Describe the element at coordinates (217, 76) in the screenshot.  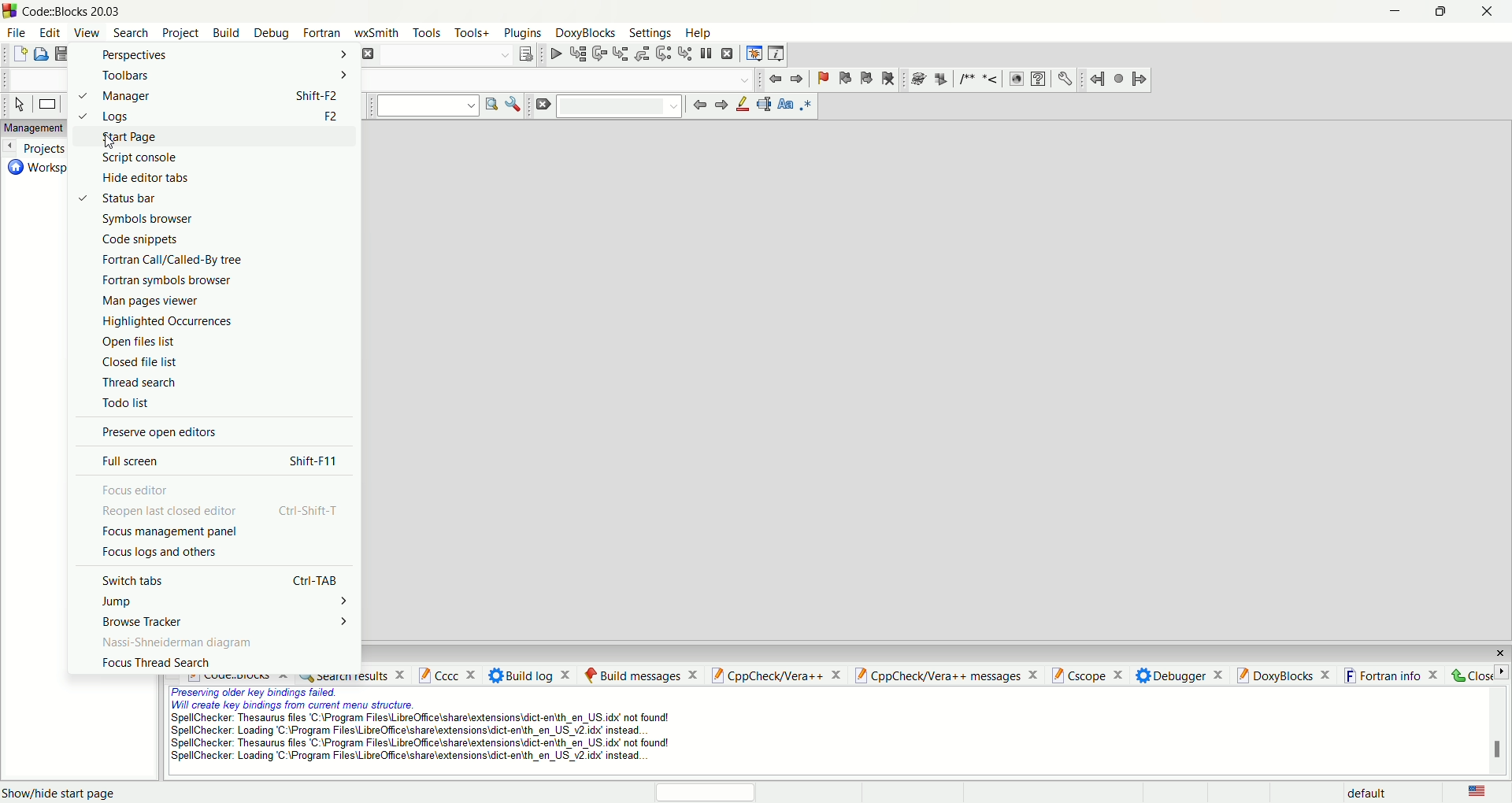
I see `toolbars` at that location.